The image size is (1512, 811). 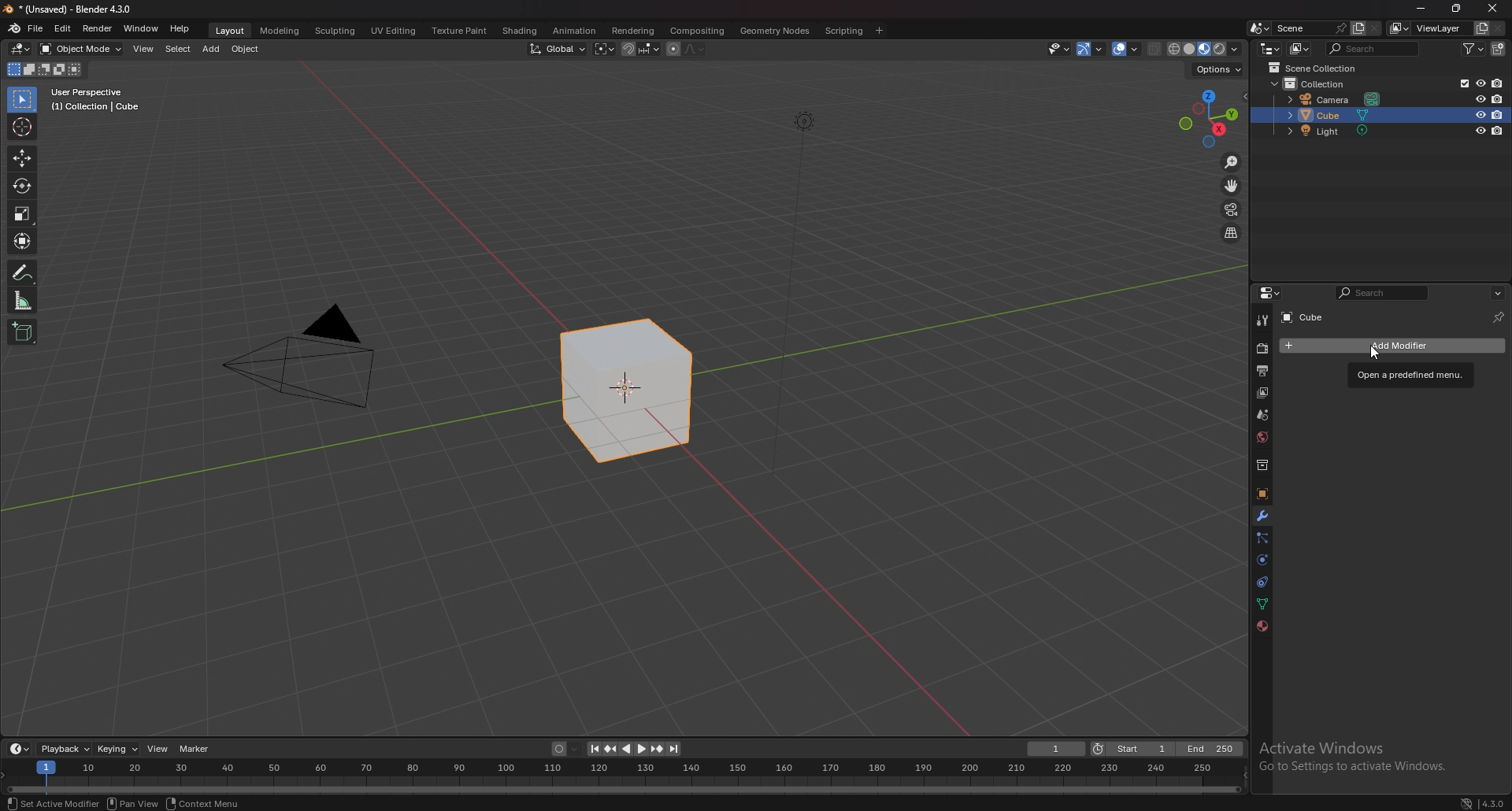 I want to click on transform orientation, so click(x=557, y=49).